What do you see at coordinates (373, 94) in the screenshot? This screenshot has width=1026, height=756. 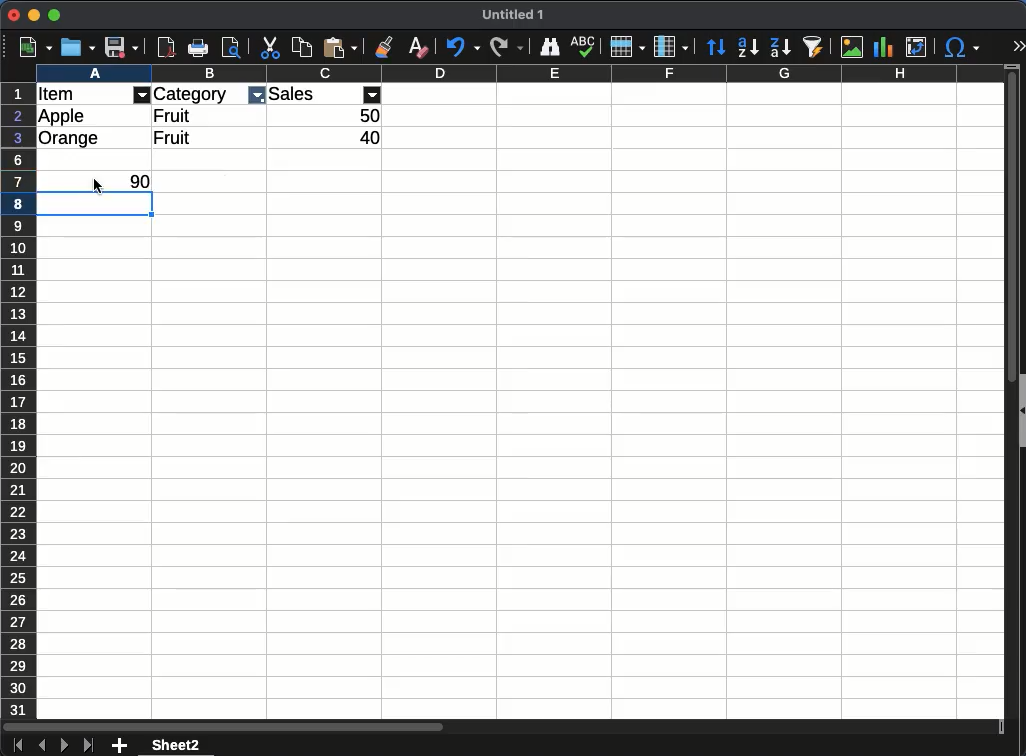 I see `filter` at bounding box center [373, 94].